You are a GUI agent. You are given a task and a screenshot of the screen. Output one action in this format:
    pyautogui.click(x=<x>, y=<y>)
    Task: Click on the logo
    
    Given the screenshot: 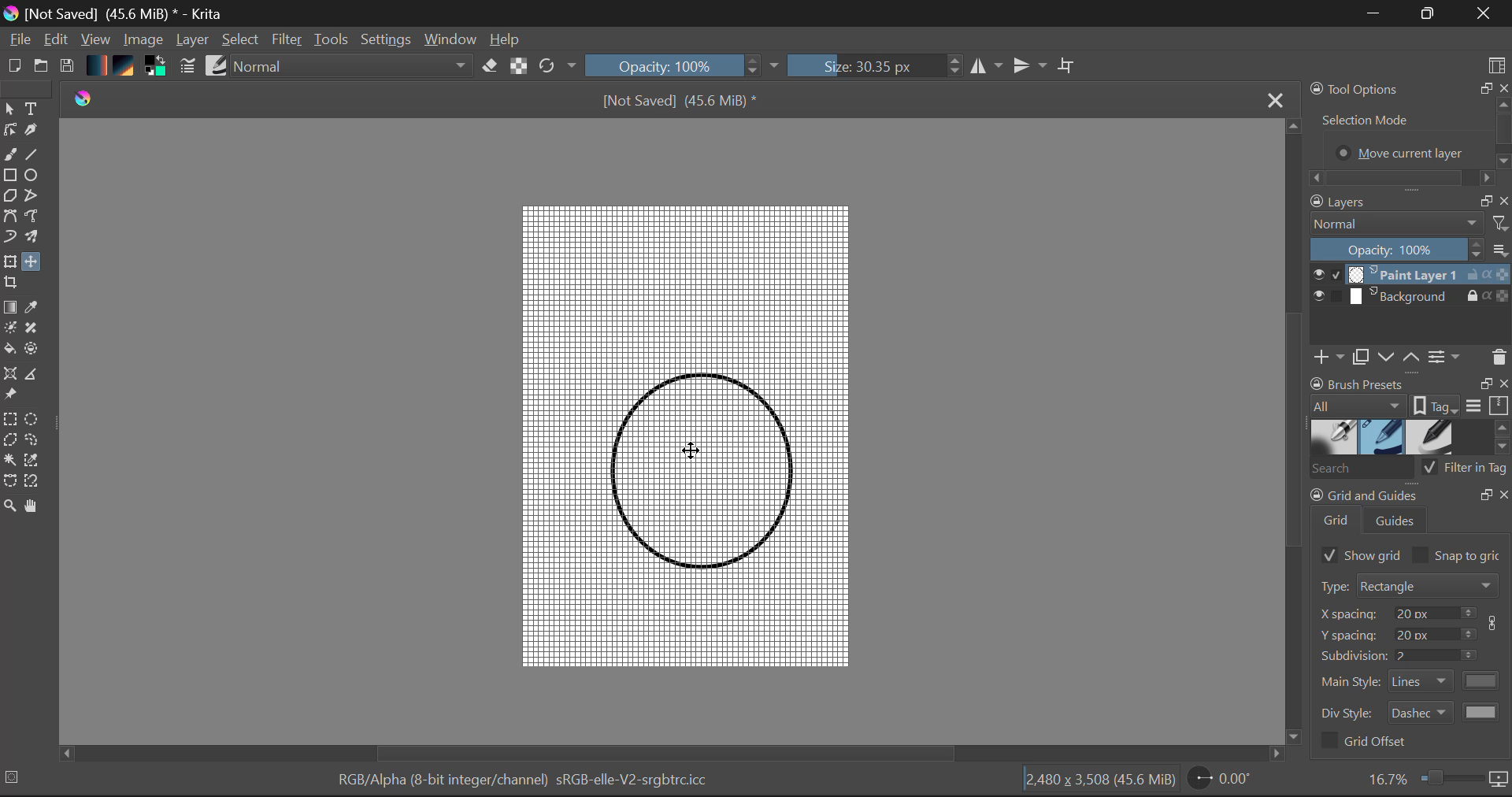 What is the action you would take?
    pyautogui.click(x=83, y=97)
    